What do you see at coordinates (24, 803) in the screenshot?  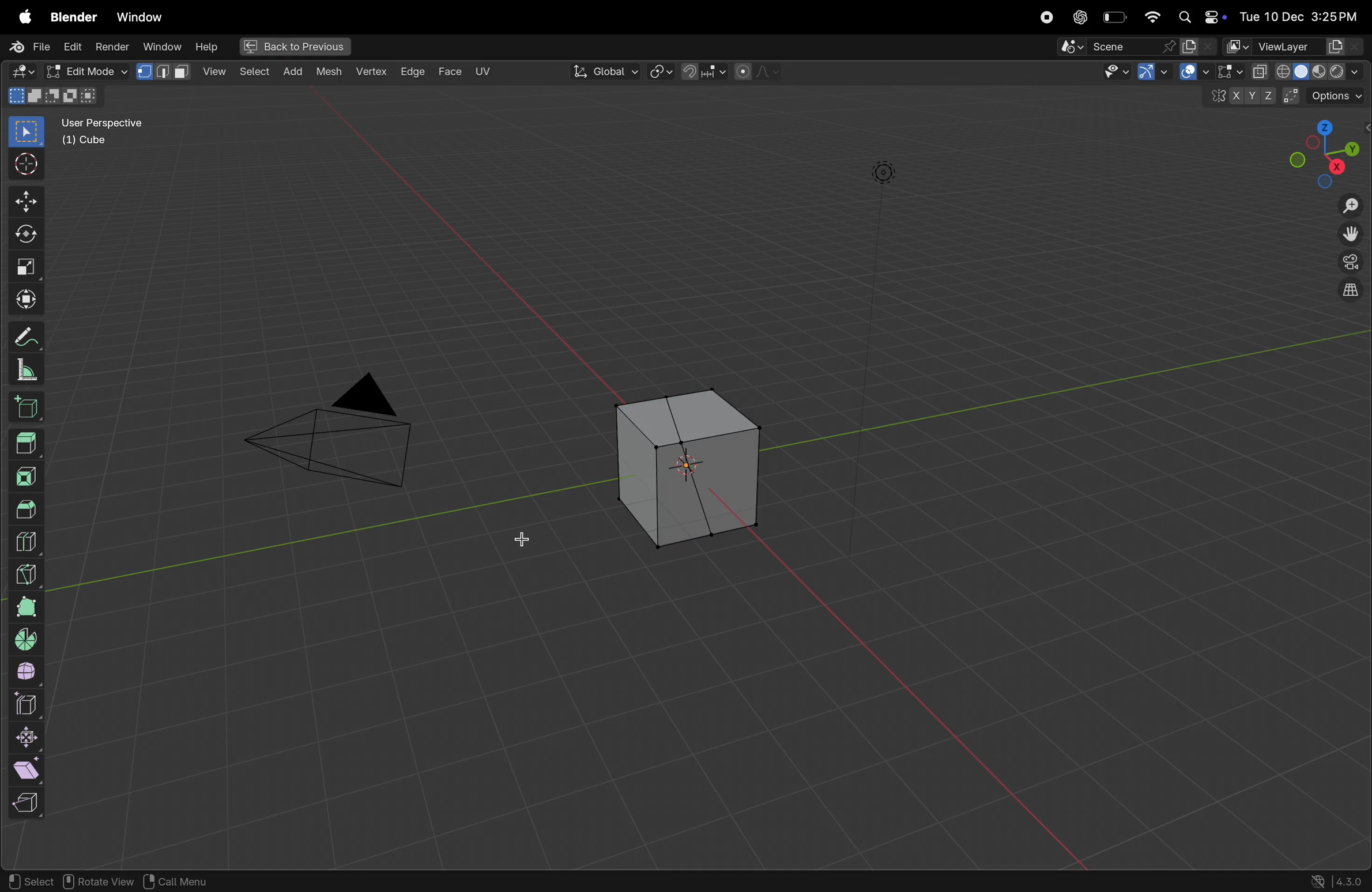 I see `reep region` at bounding box center [24, 803].